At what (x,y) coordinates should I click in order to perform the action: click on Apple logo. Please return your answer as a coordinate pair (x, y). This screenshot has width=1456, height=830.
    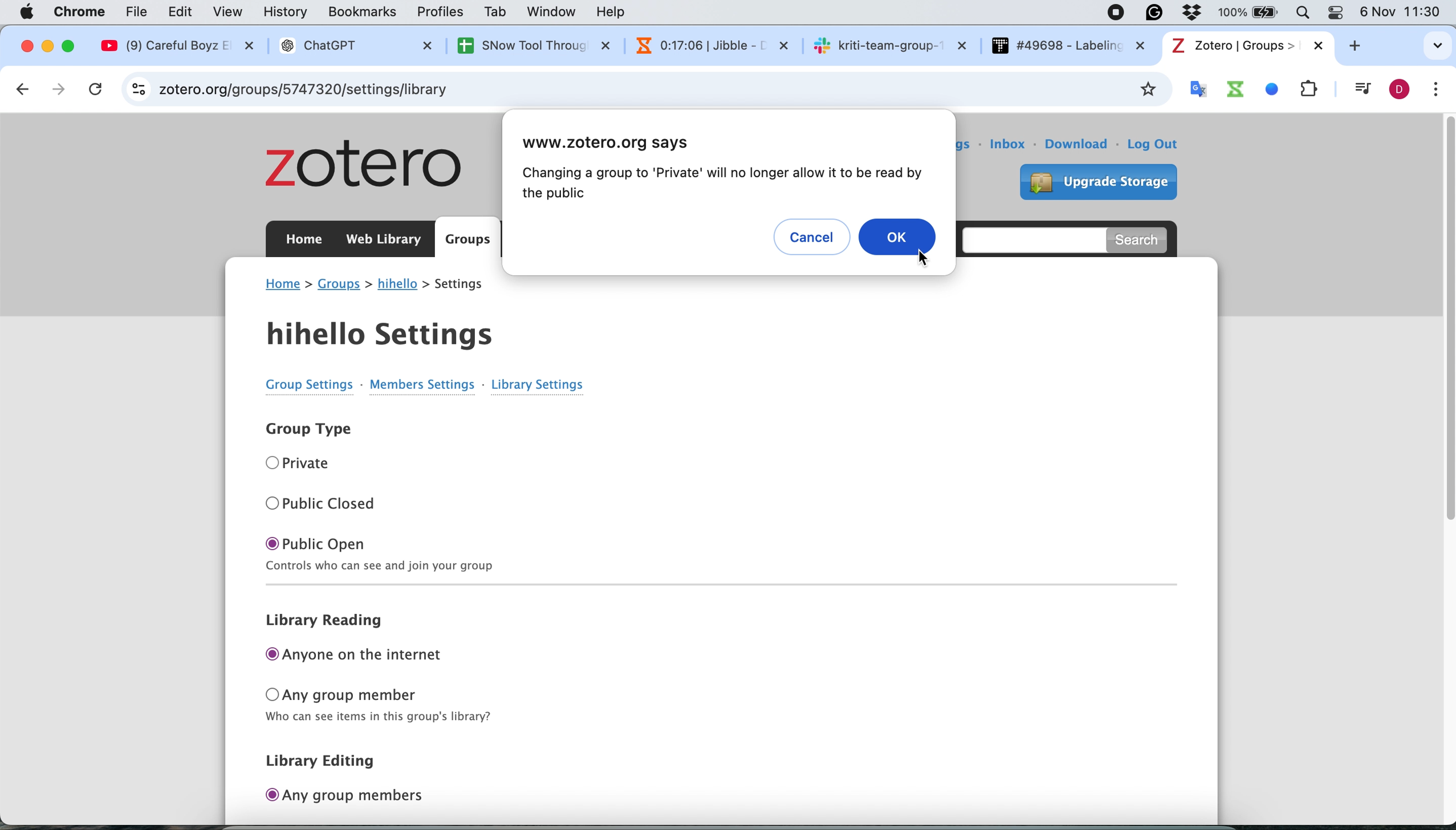
    Looking at the image, I should click on (27, 11).